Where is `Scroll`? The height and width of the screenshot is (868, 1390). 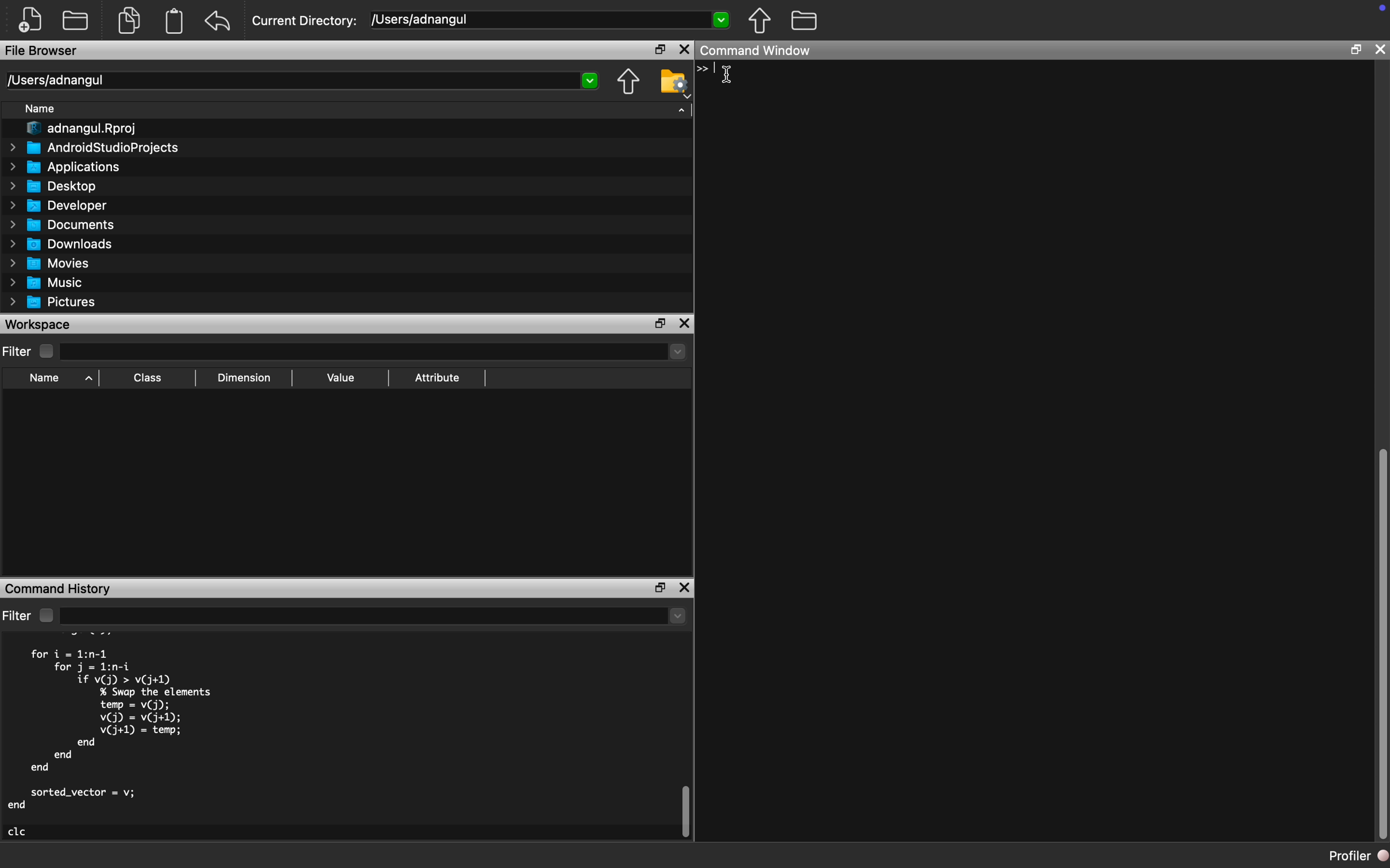 Scroll is located at coordinates (1380, 455).